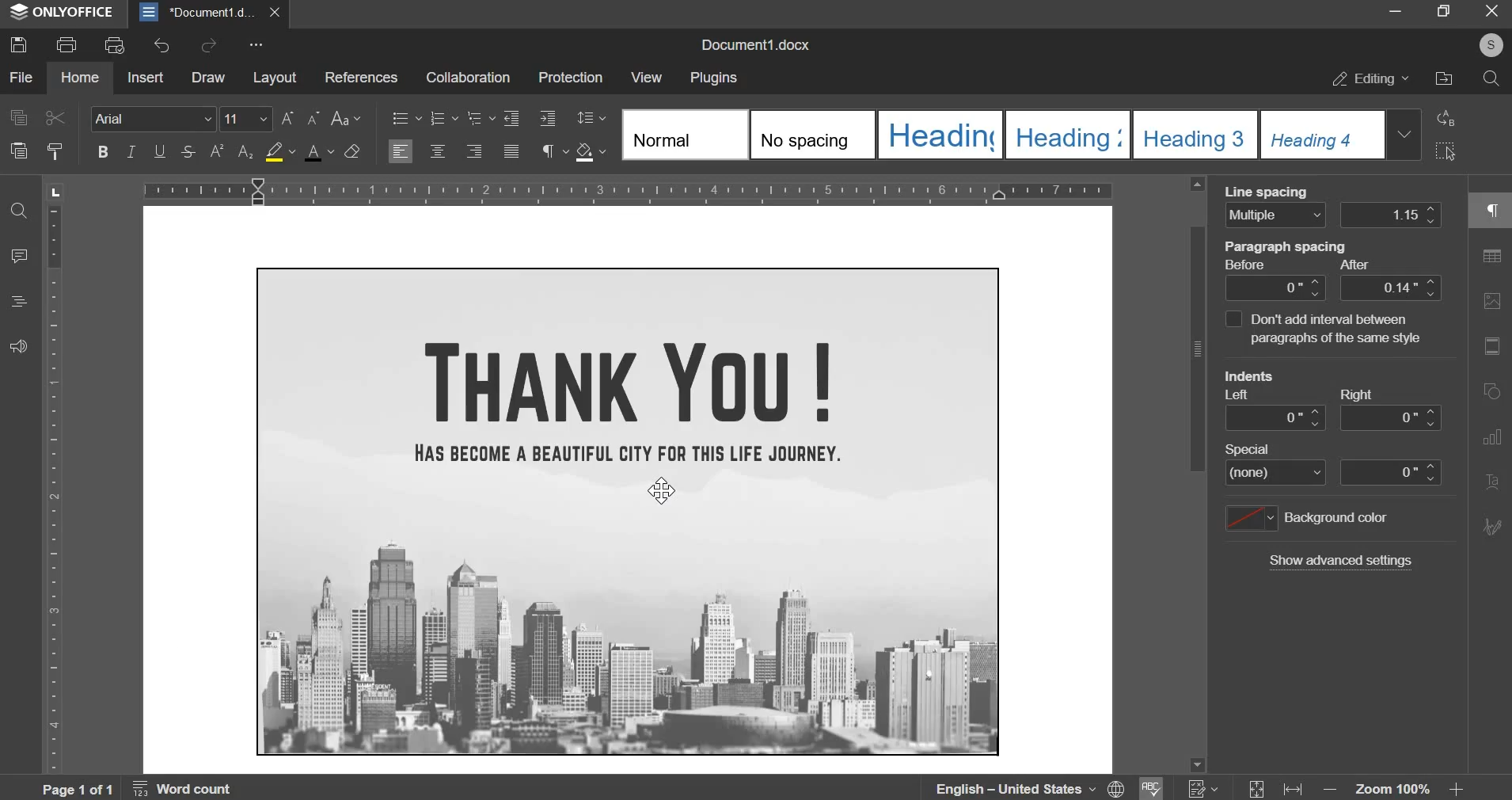 This screenshot has height=800, width=1512. I want to click on restore, so click(1444, 12).